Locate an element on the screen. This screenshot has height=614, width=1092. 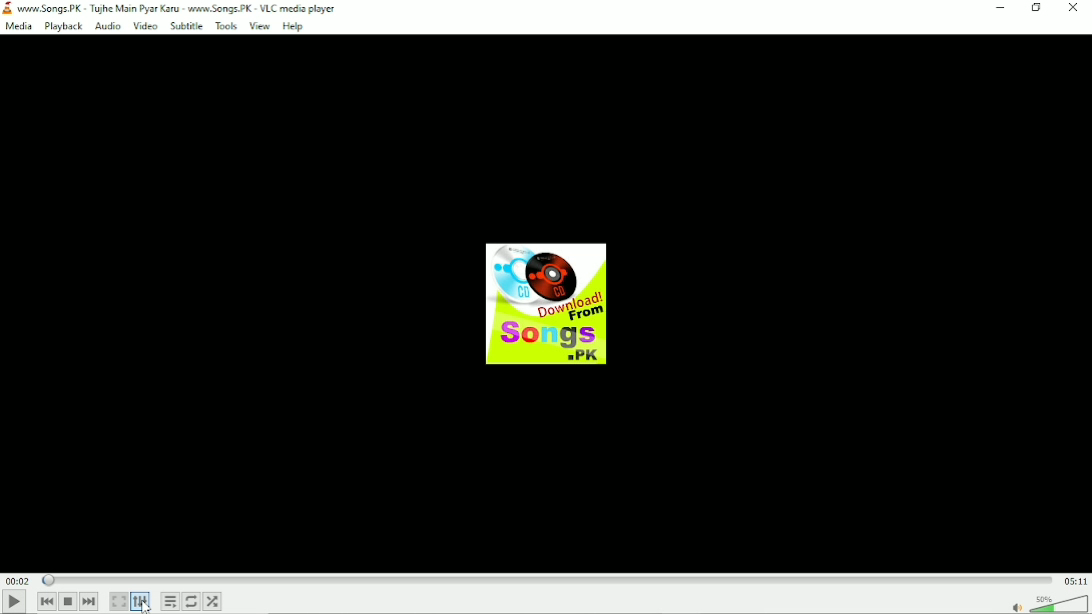
Playback is located at coordinates (64, 27).